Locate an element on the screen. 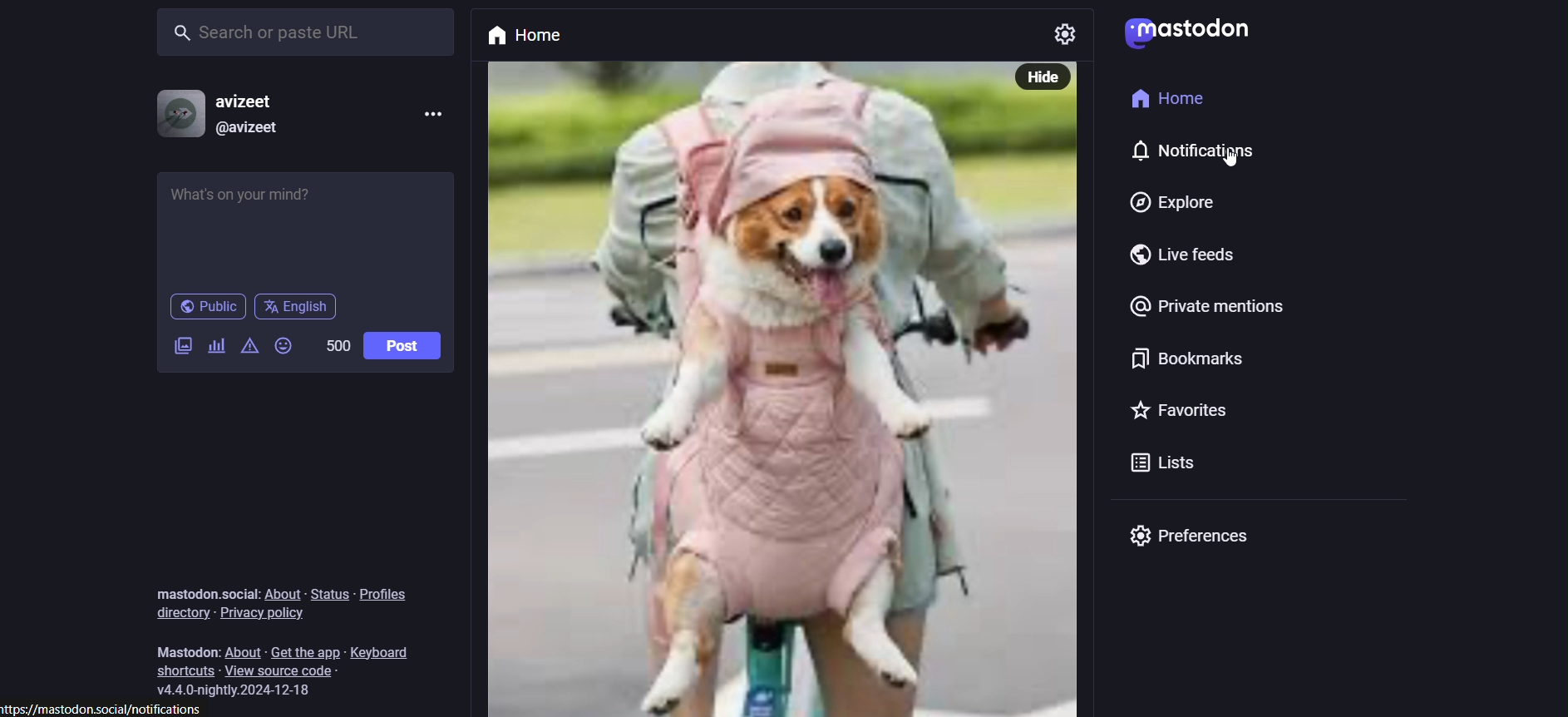  username is located at coordinates (255, 100).